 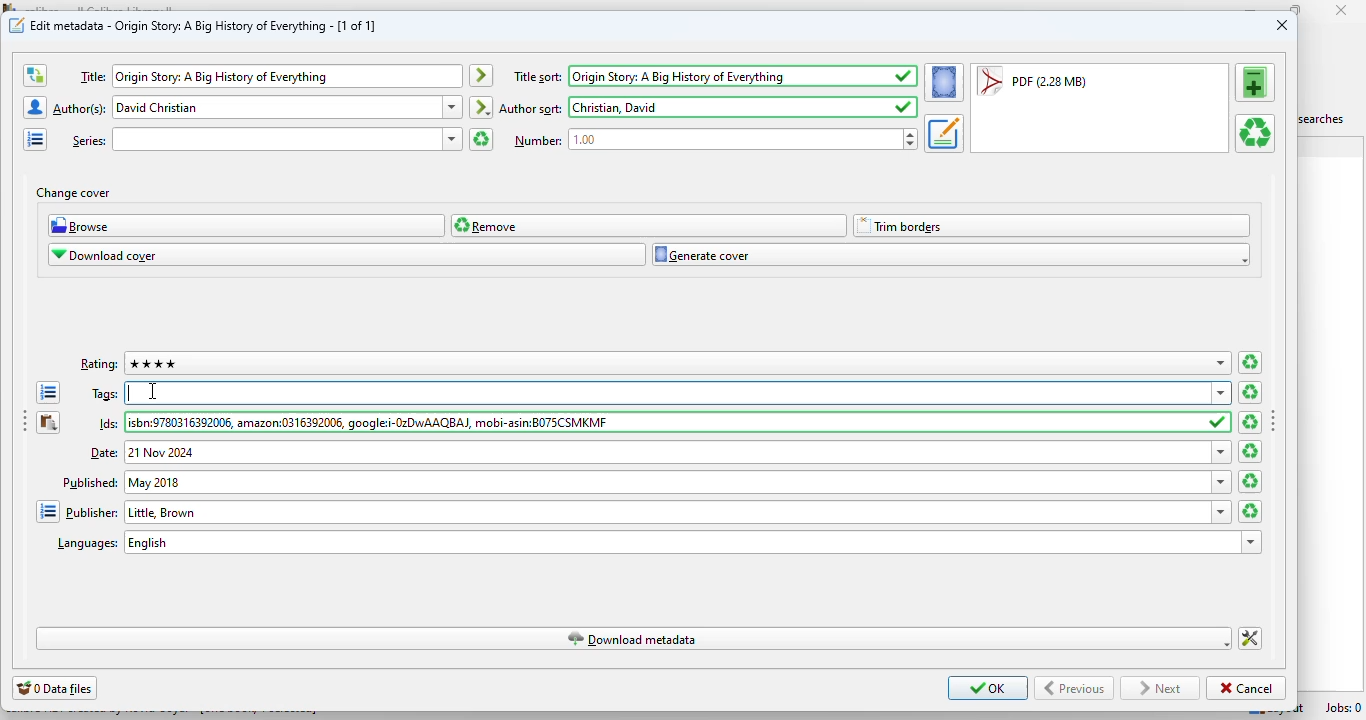 What do you see at coordinates (1159, 689) in the screenshot?
I see `next` at bounding box center [1159, 689].